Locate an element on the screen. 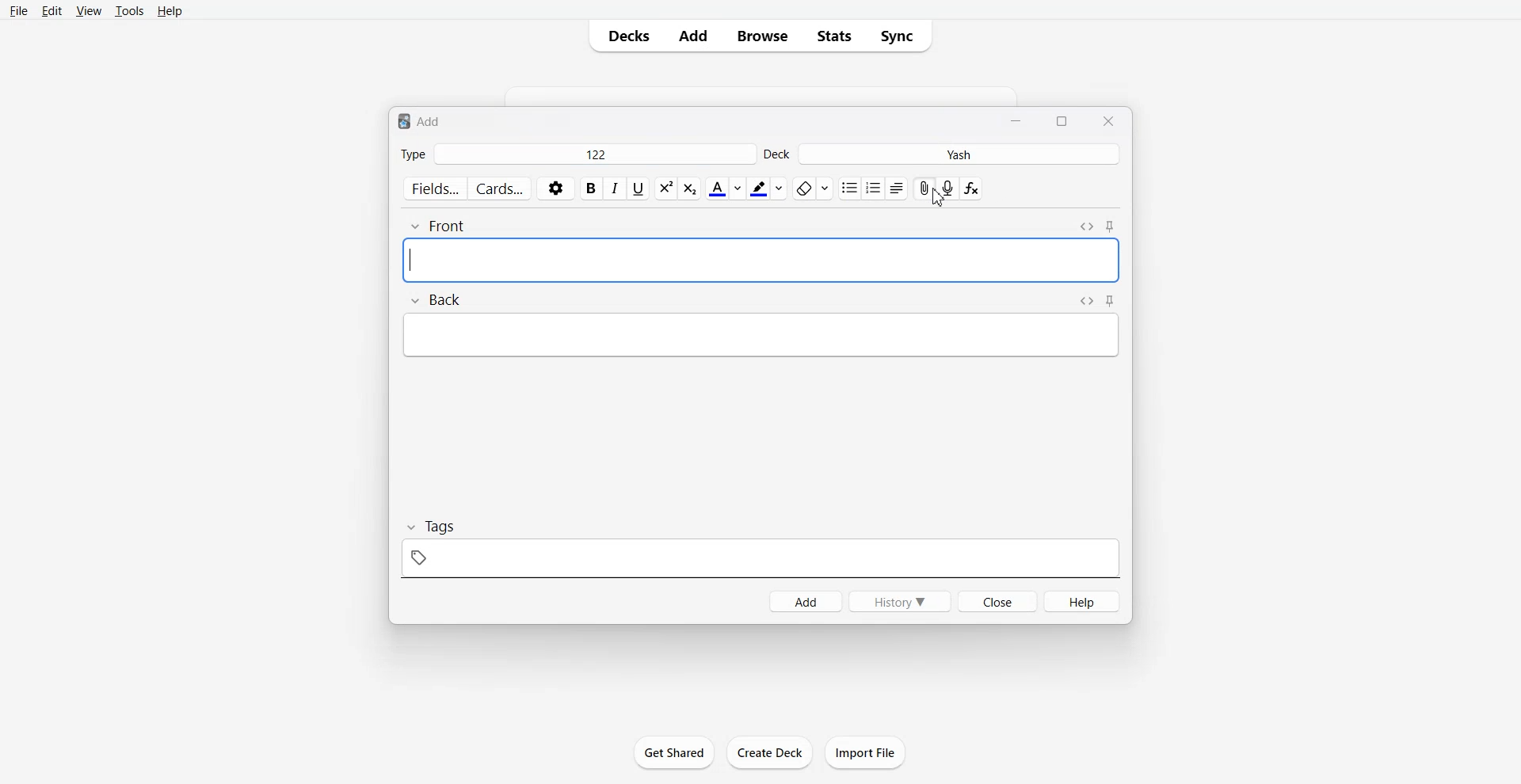  Tags is located at coordinates (433, 526).